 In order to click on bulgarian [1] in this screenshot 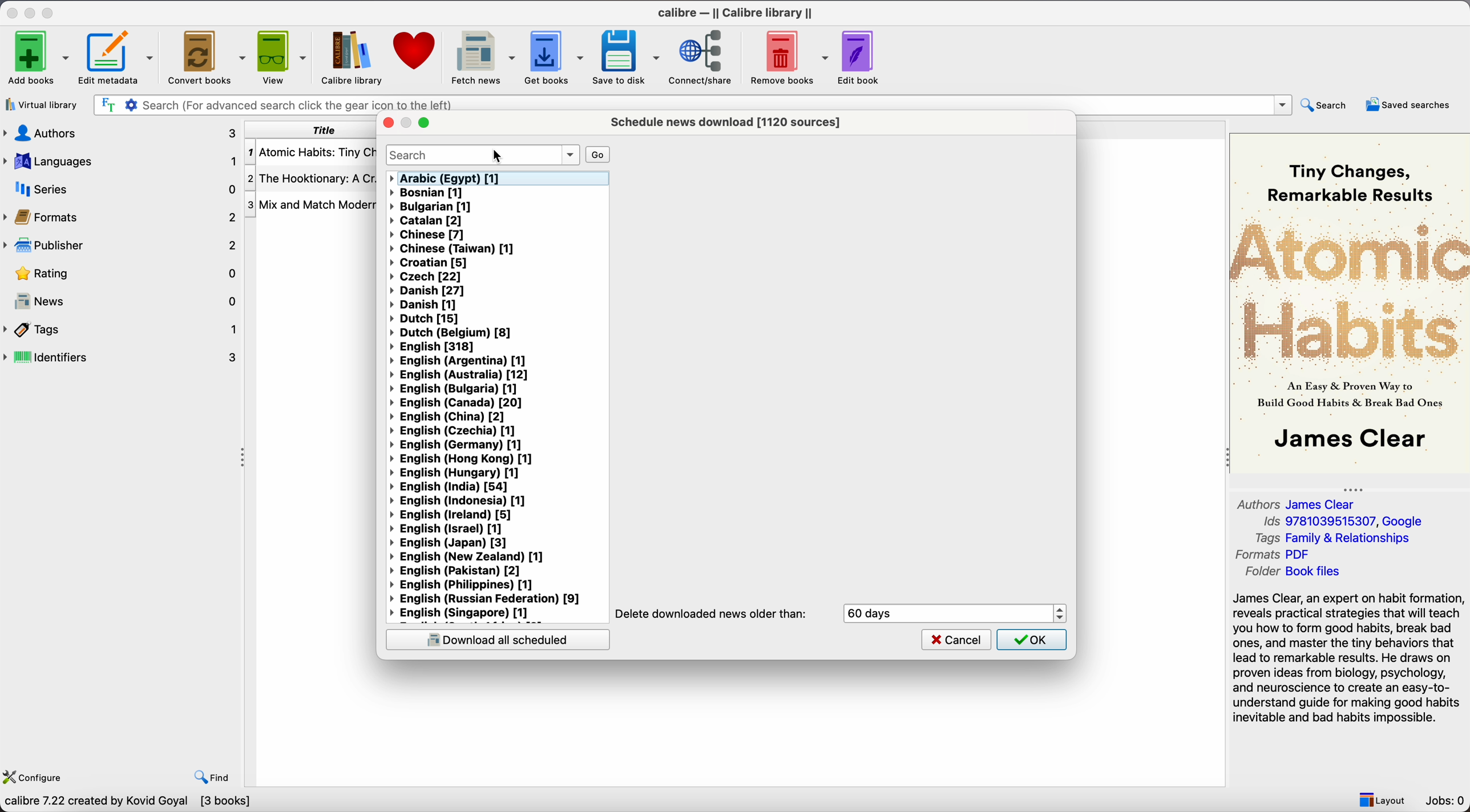, I will do `click(432, 207)`.